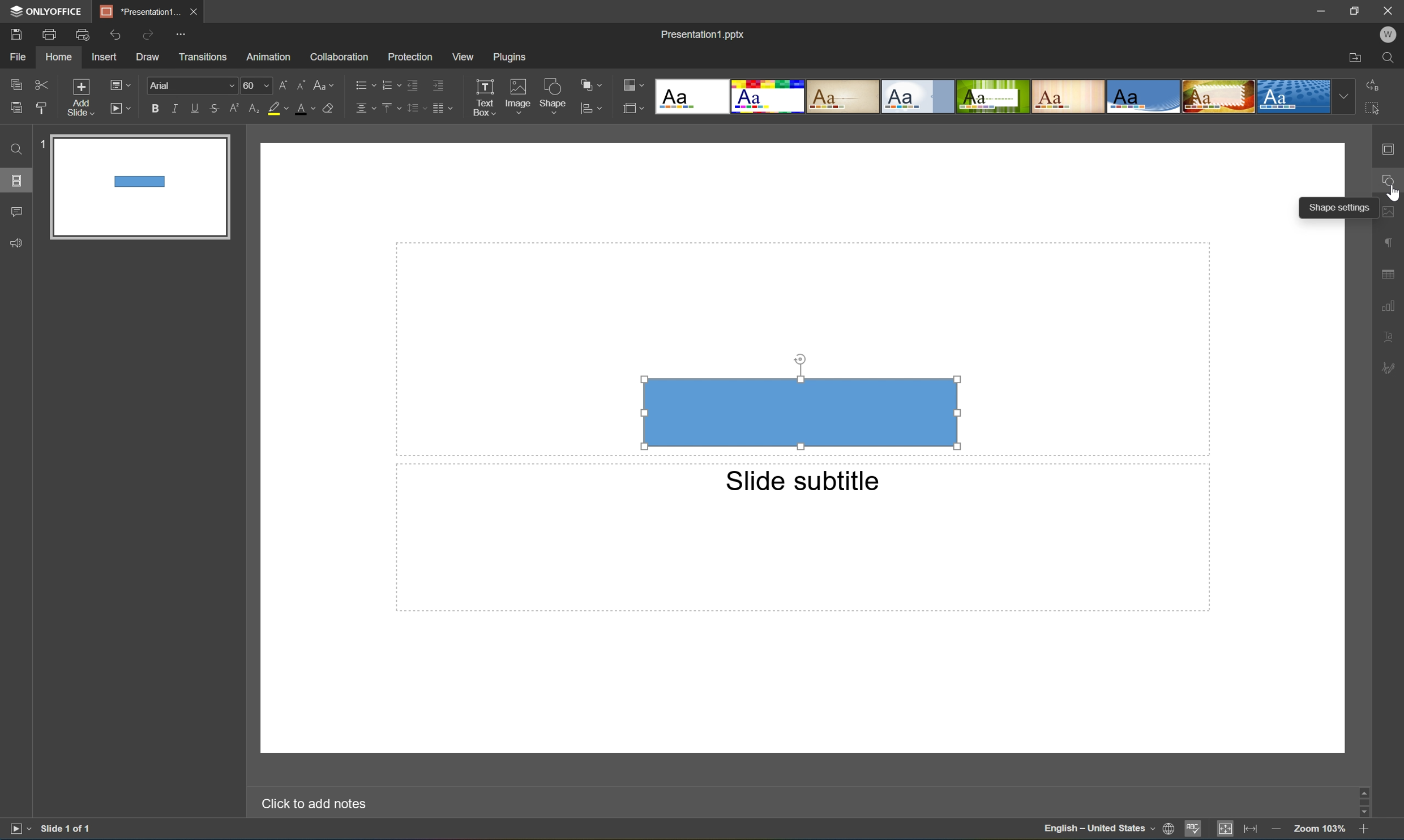  Describe the element at coordinates (631, 107) in the screenshot. I see `icon` at that location.